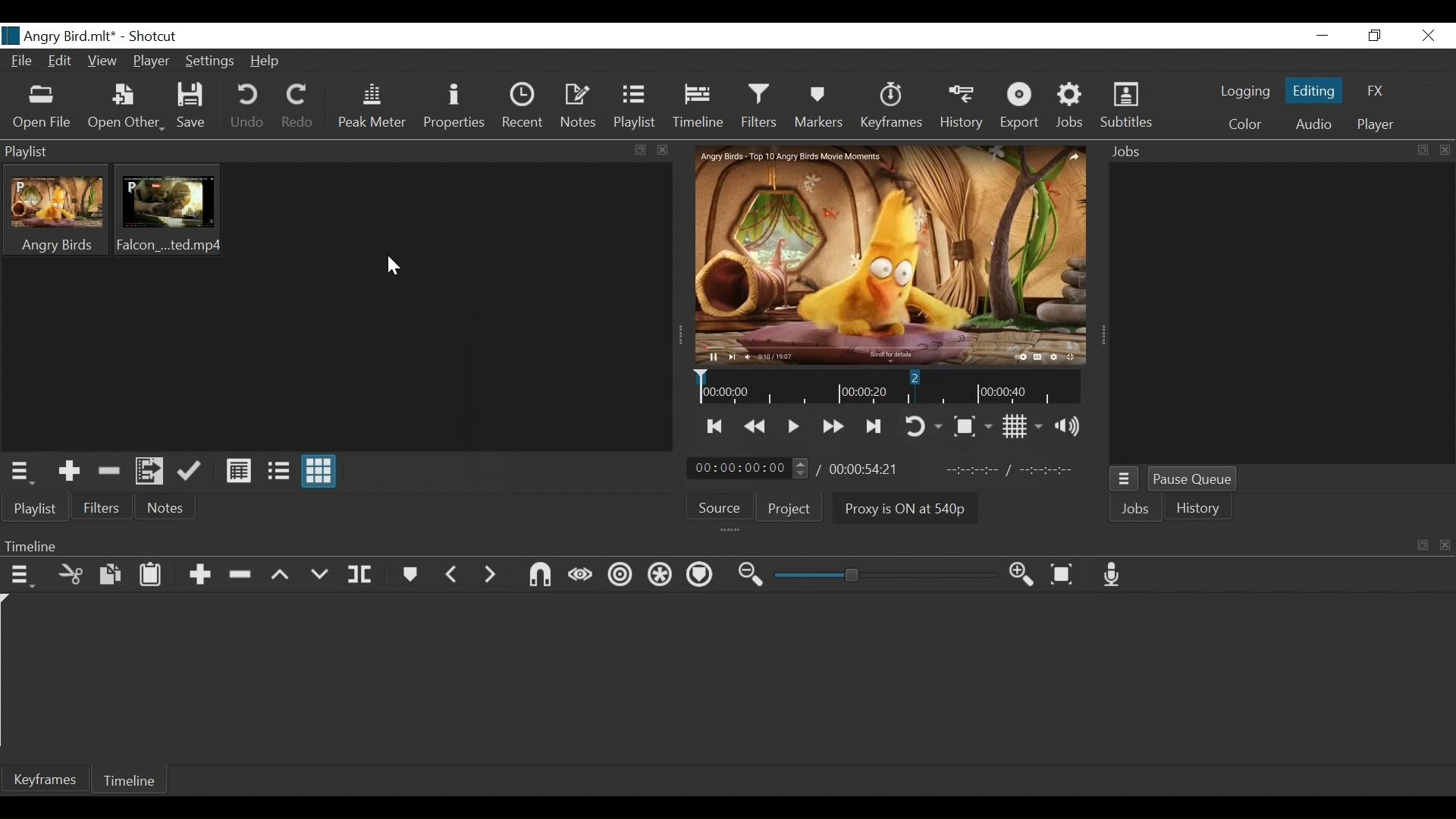  Describe the element at coordinates (210, 63) in the screenshot. I see `Settings` at that location.